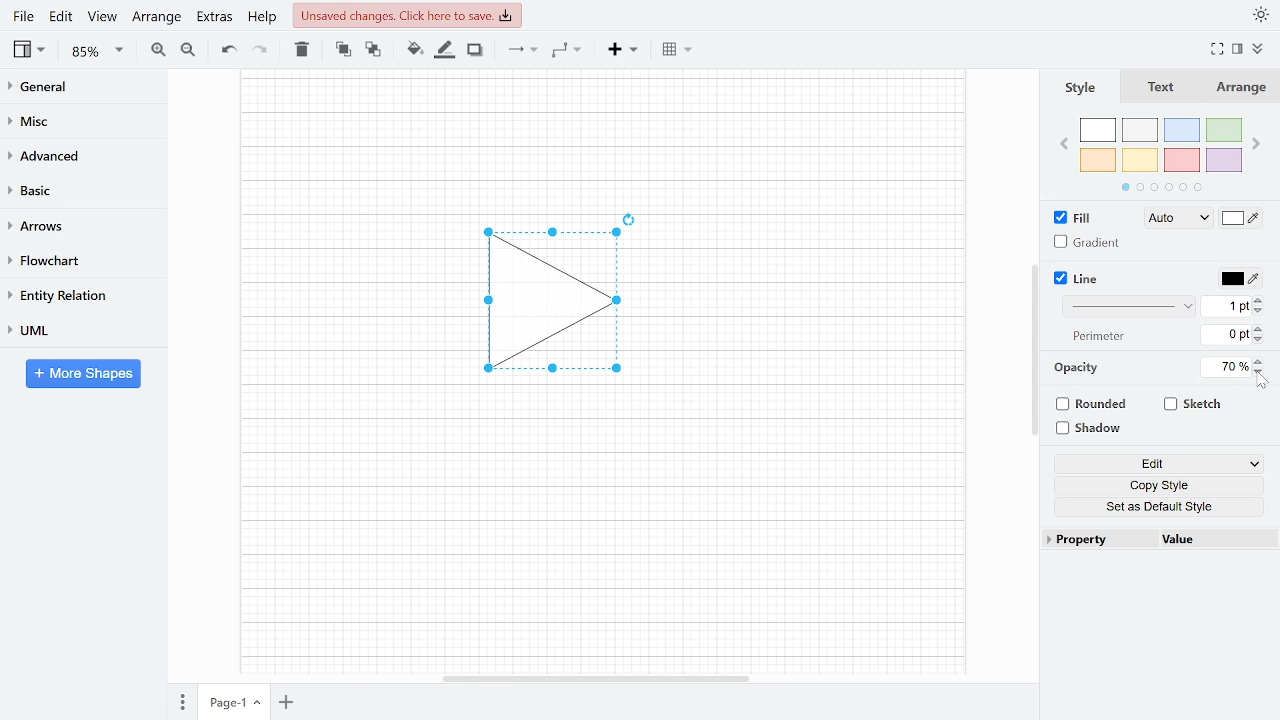 This screenshot has width=1280, height=720. What do you see at coordinates (1159, 465) in the screenshot?
I see `Edit` at bounding box center [1159, 465].